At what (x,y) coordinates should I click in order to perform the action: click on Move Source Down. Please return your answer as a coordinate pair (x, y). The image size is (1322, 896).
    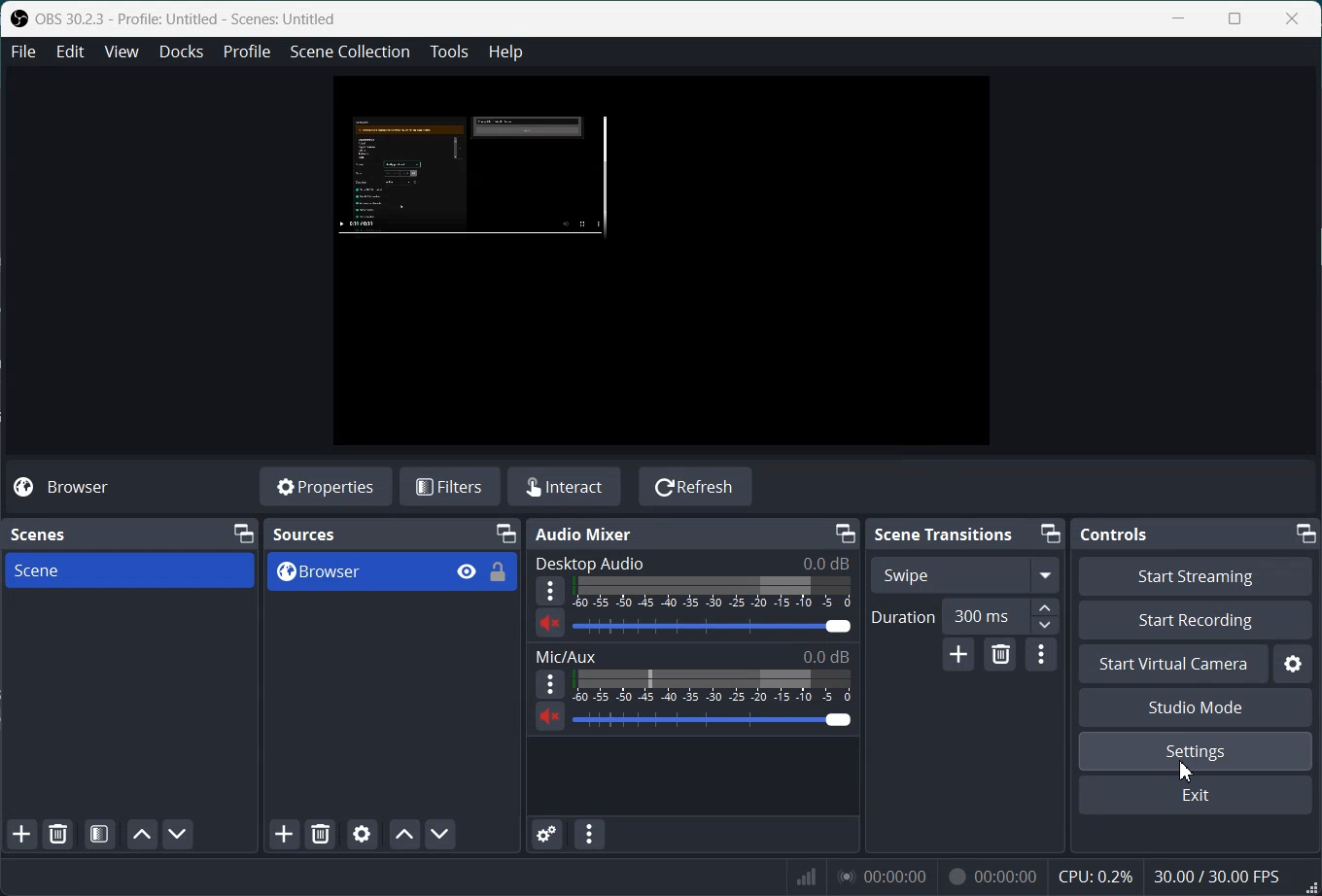
    Looking at the image, I should click on (441, 834).